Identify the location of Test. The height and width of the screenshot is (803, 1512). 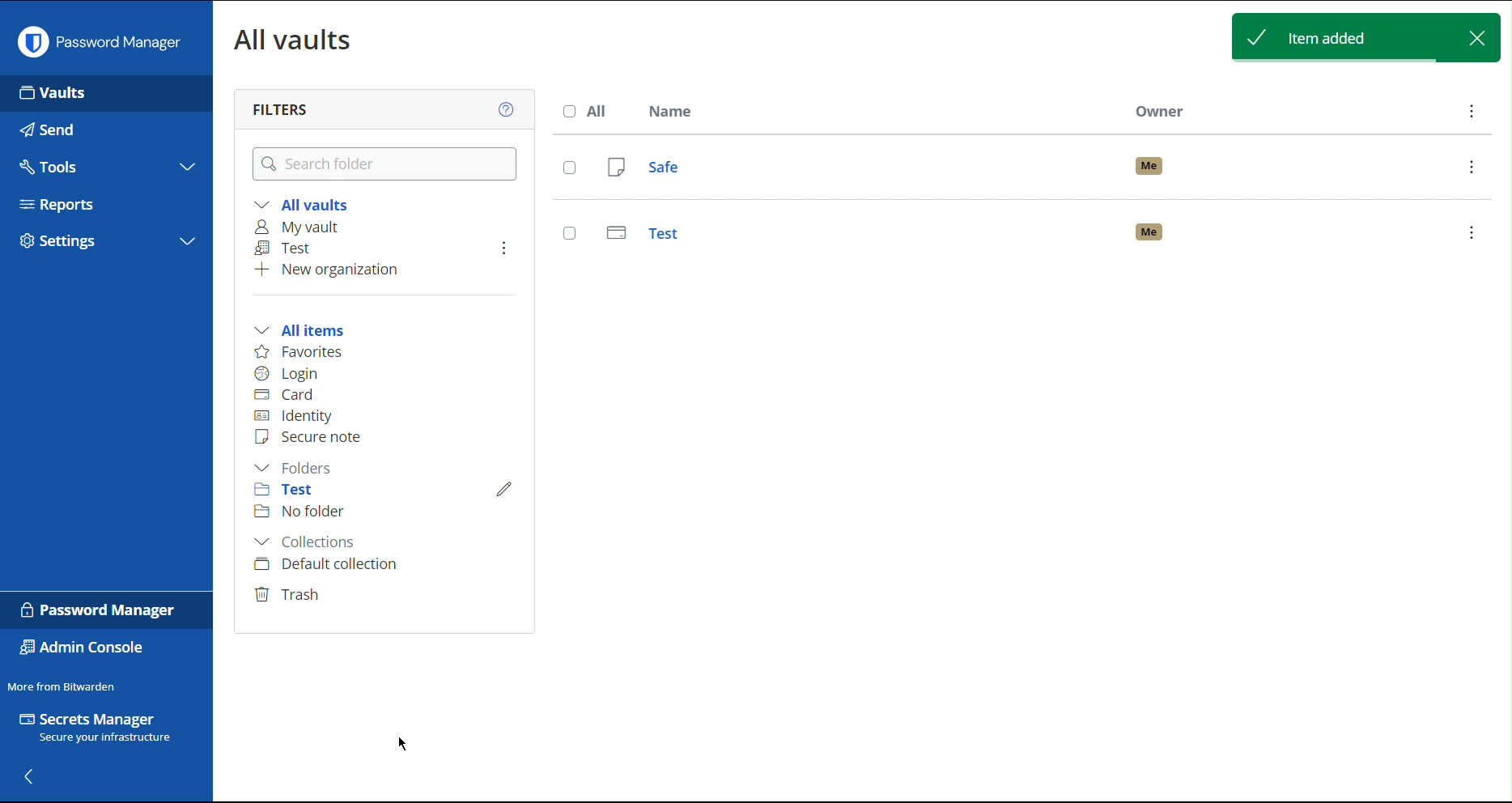
(287, 249).